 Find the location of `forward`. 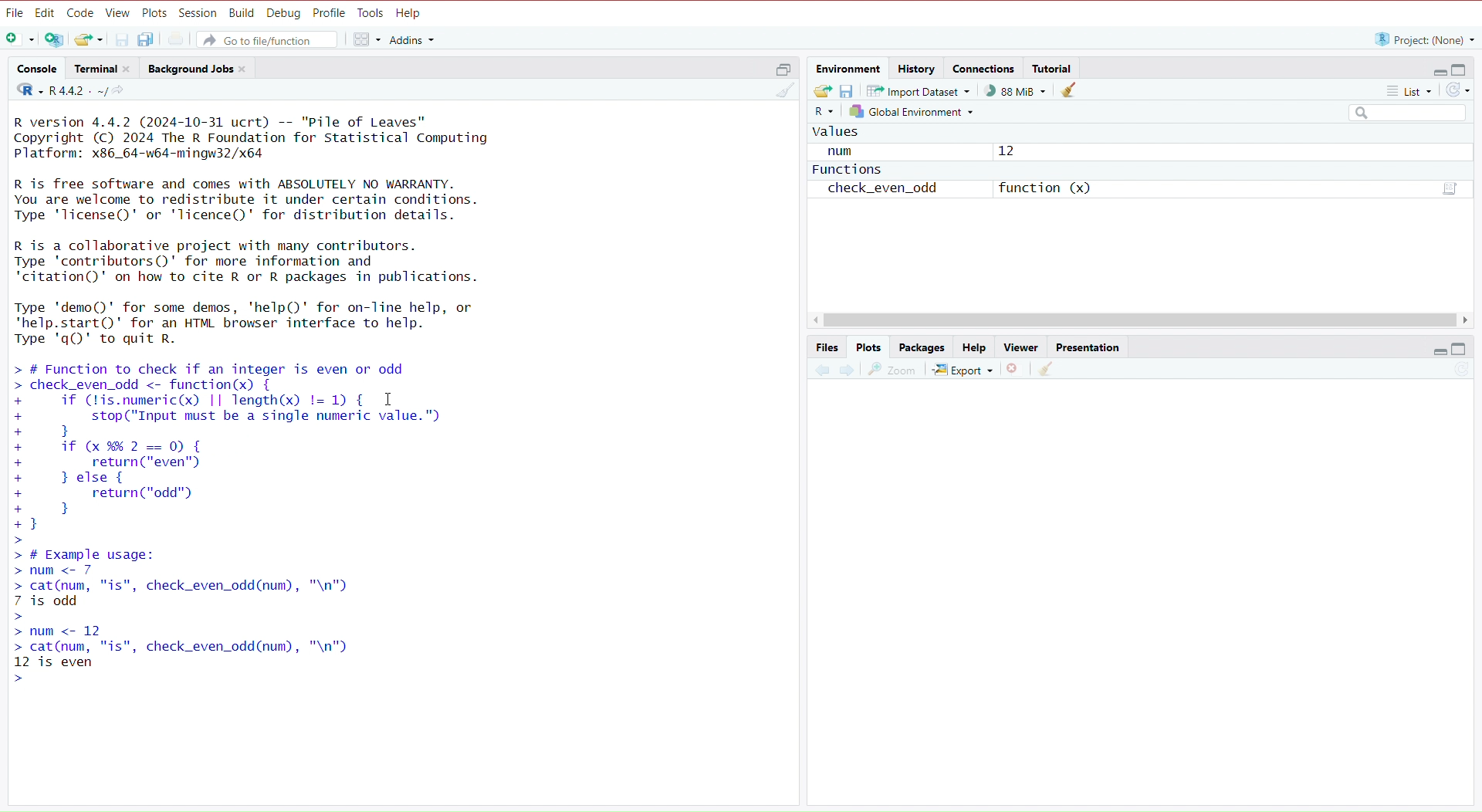

forward is located at coordinates (847, 373).